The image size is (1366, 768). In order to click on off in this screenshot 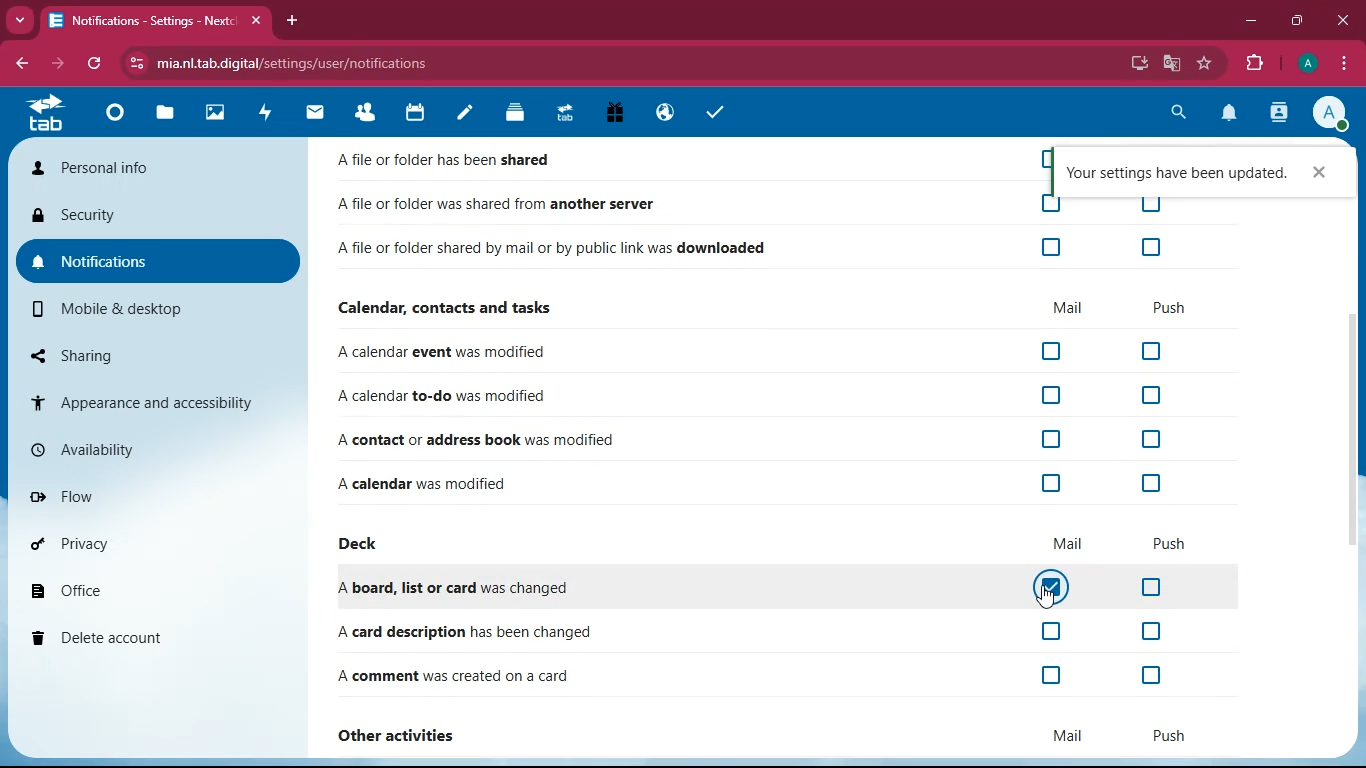, I will do `click(1052, 435)`.